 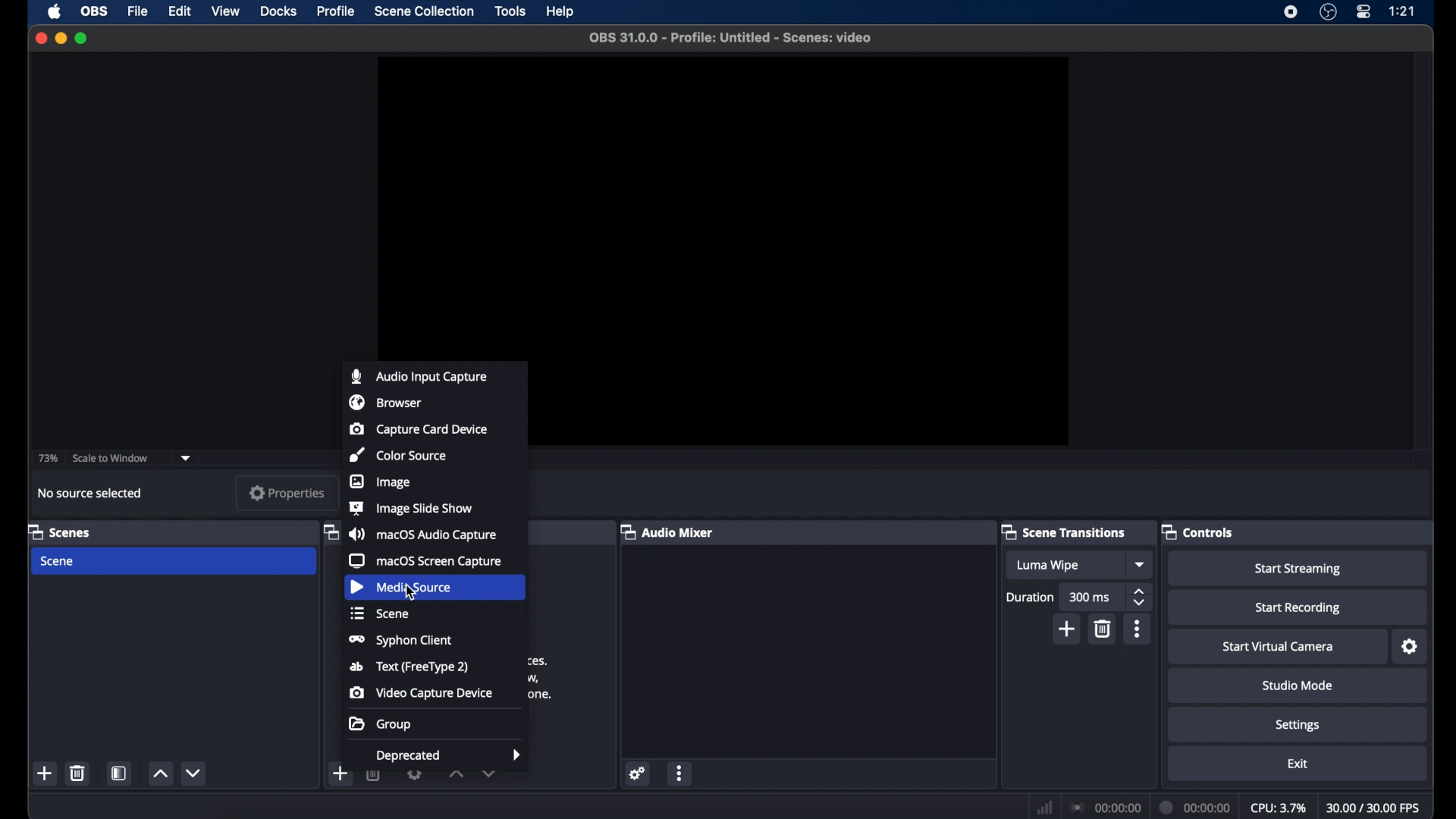 I want to click on delete, so click(x=77, y=773).